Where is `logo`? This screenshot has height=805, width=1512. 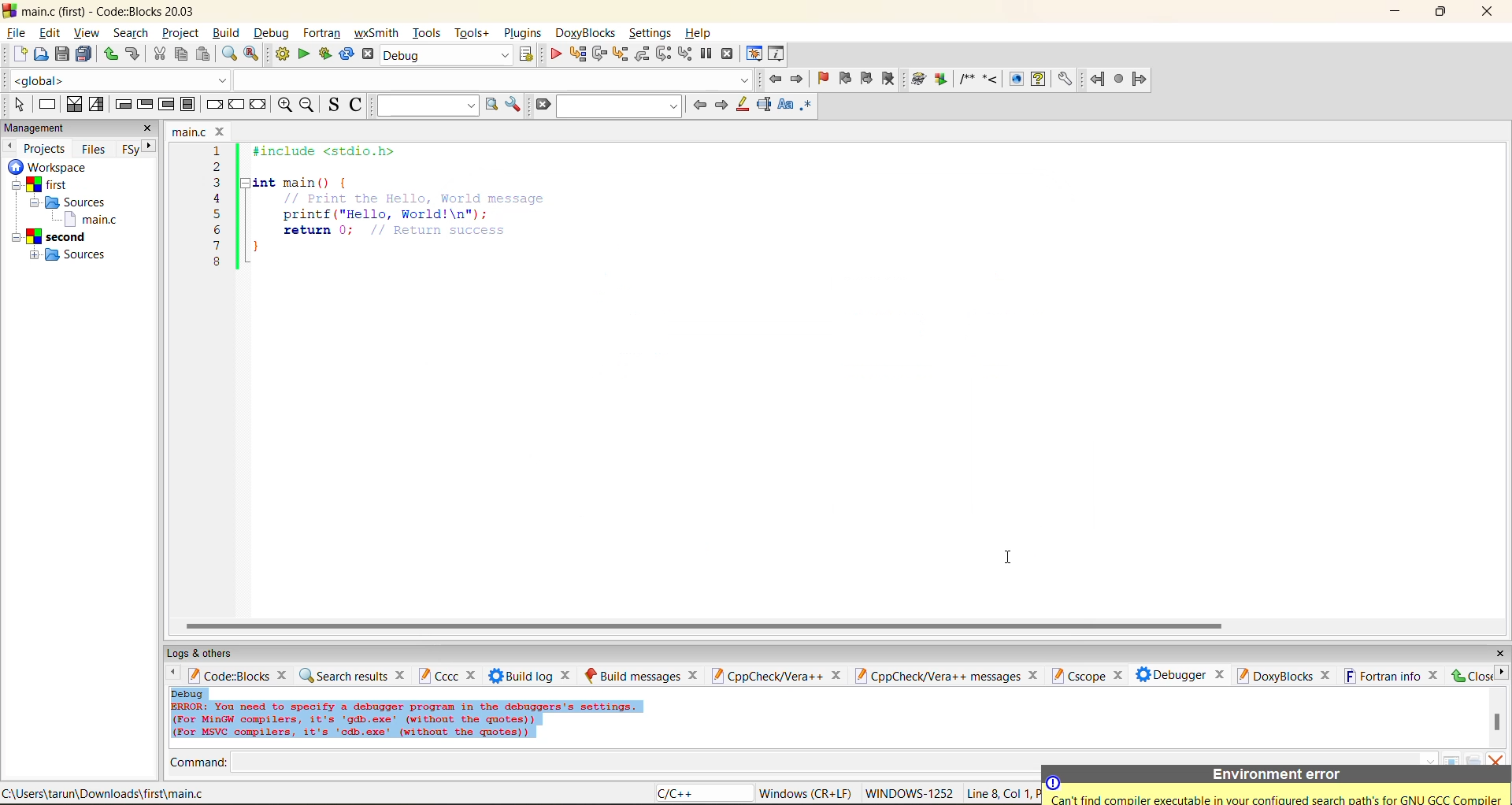
logo is located at coordinates (9, 9).